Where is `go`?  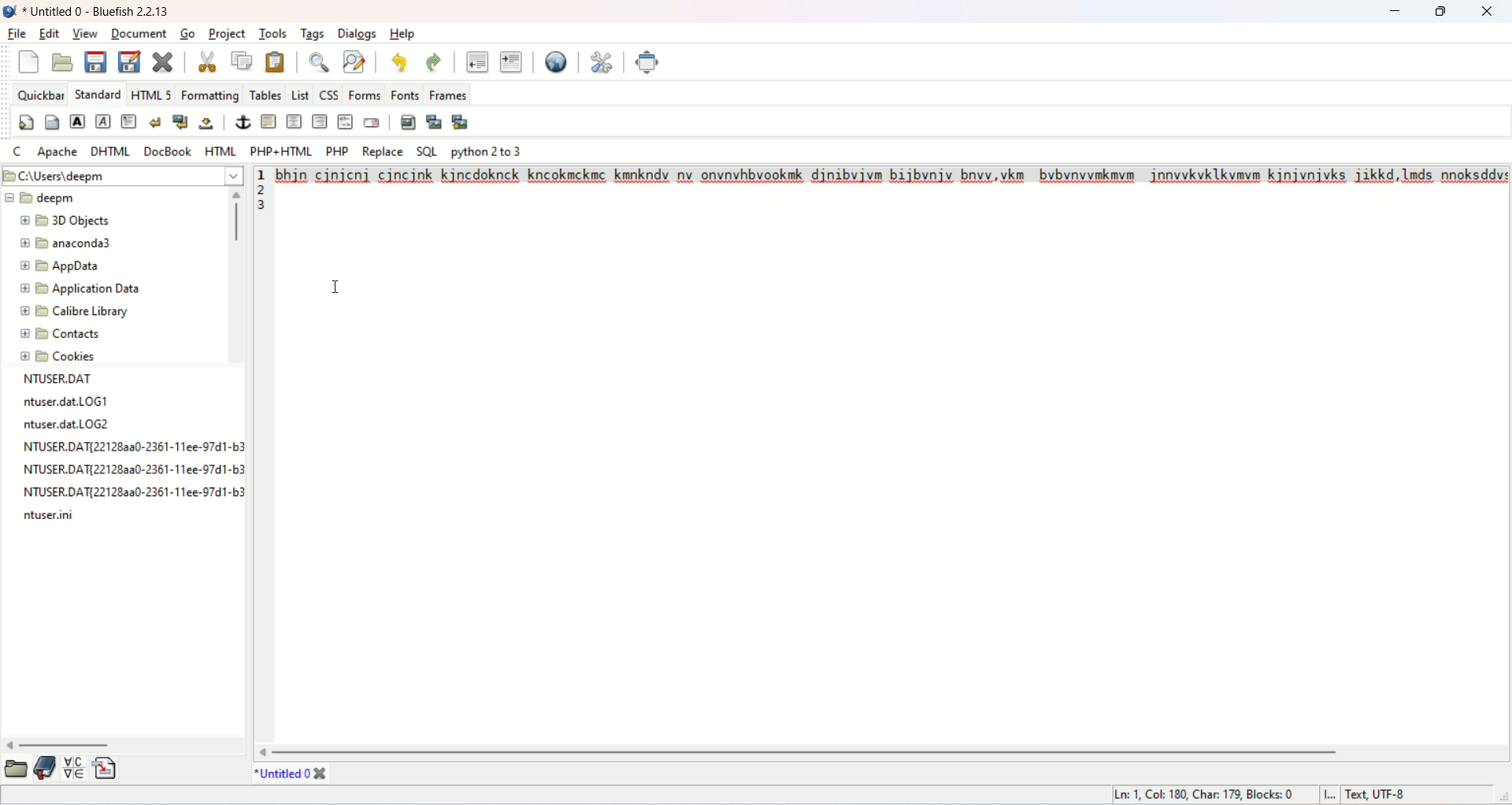 go is located at coordinates (190, 35).